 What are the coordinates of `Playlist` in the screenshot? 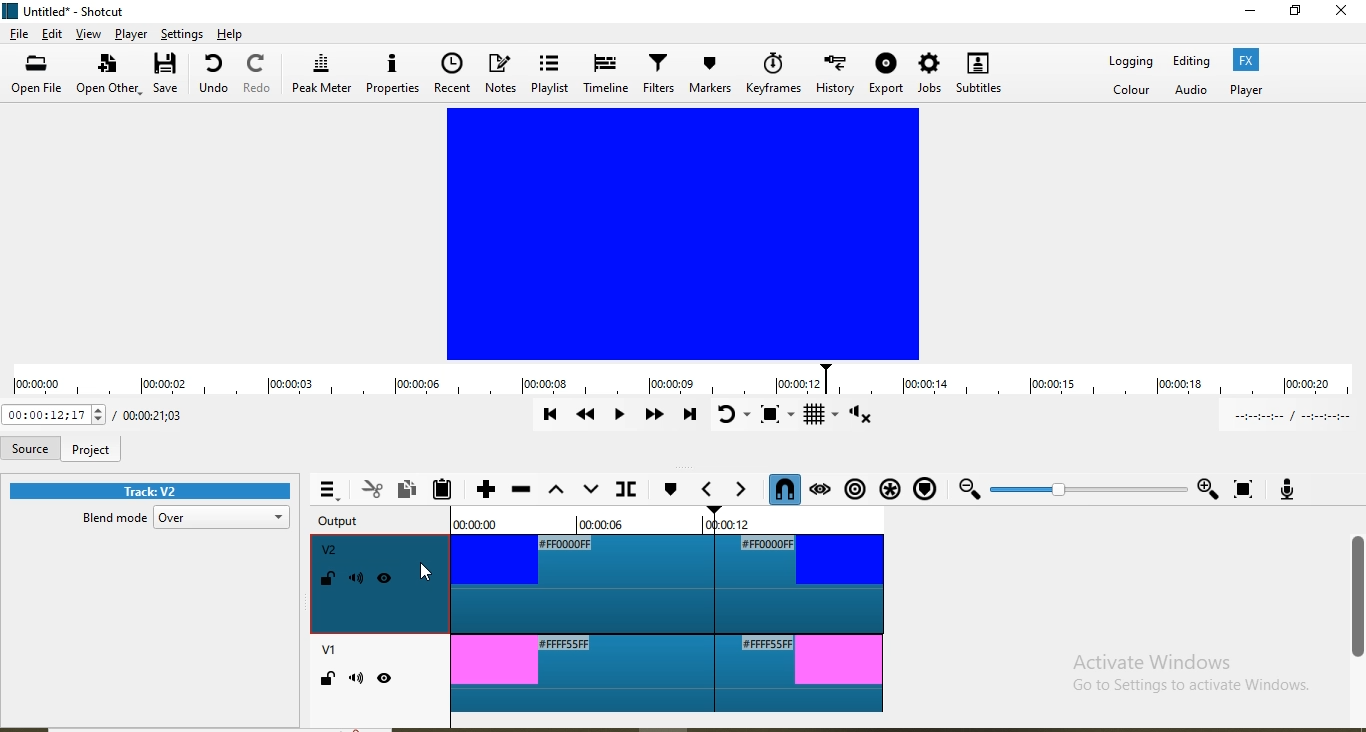 It's located at (550, 75).